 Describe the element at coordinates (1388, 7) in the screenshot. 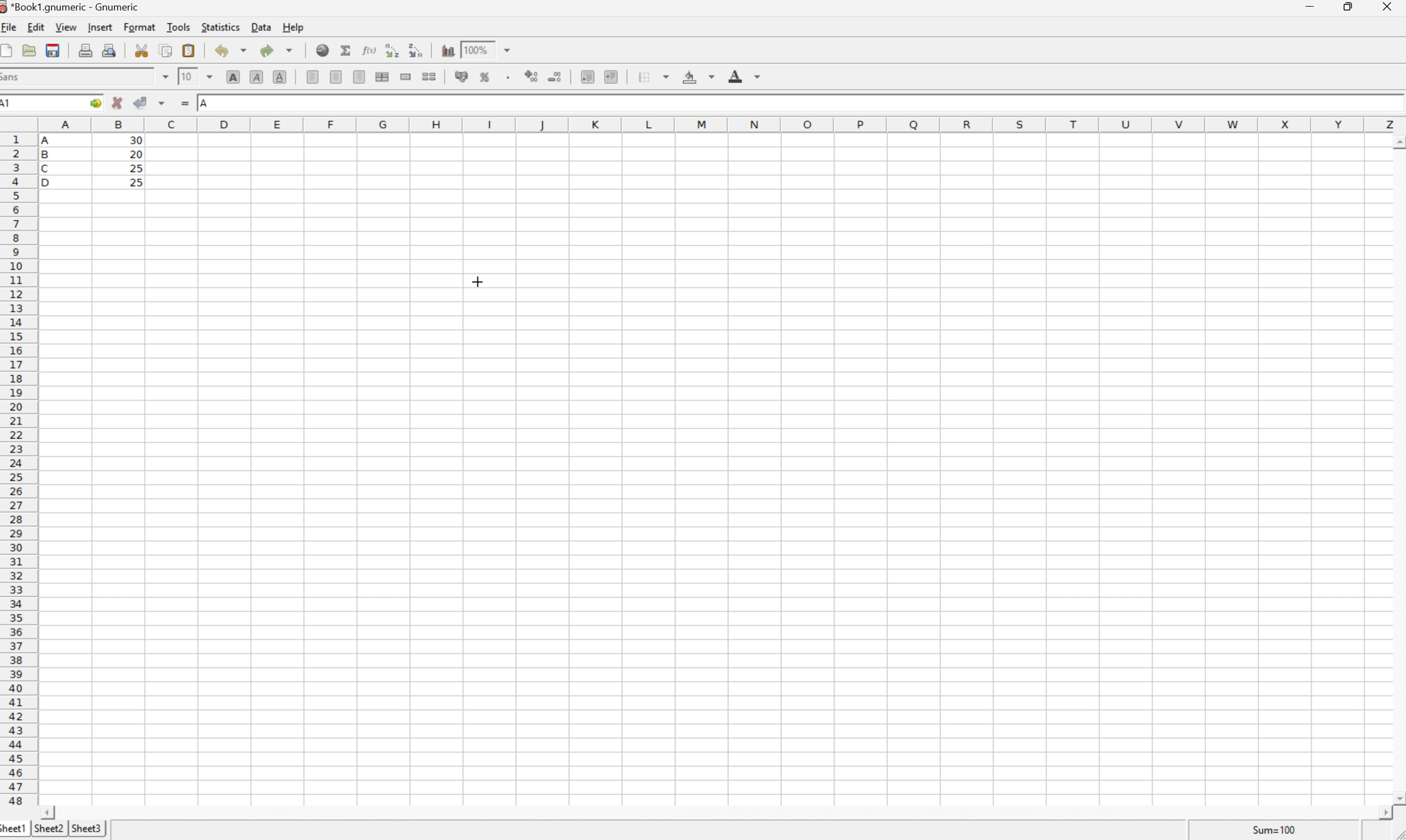

I see `Close` at that location.